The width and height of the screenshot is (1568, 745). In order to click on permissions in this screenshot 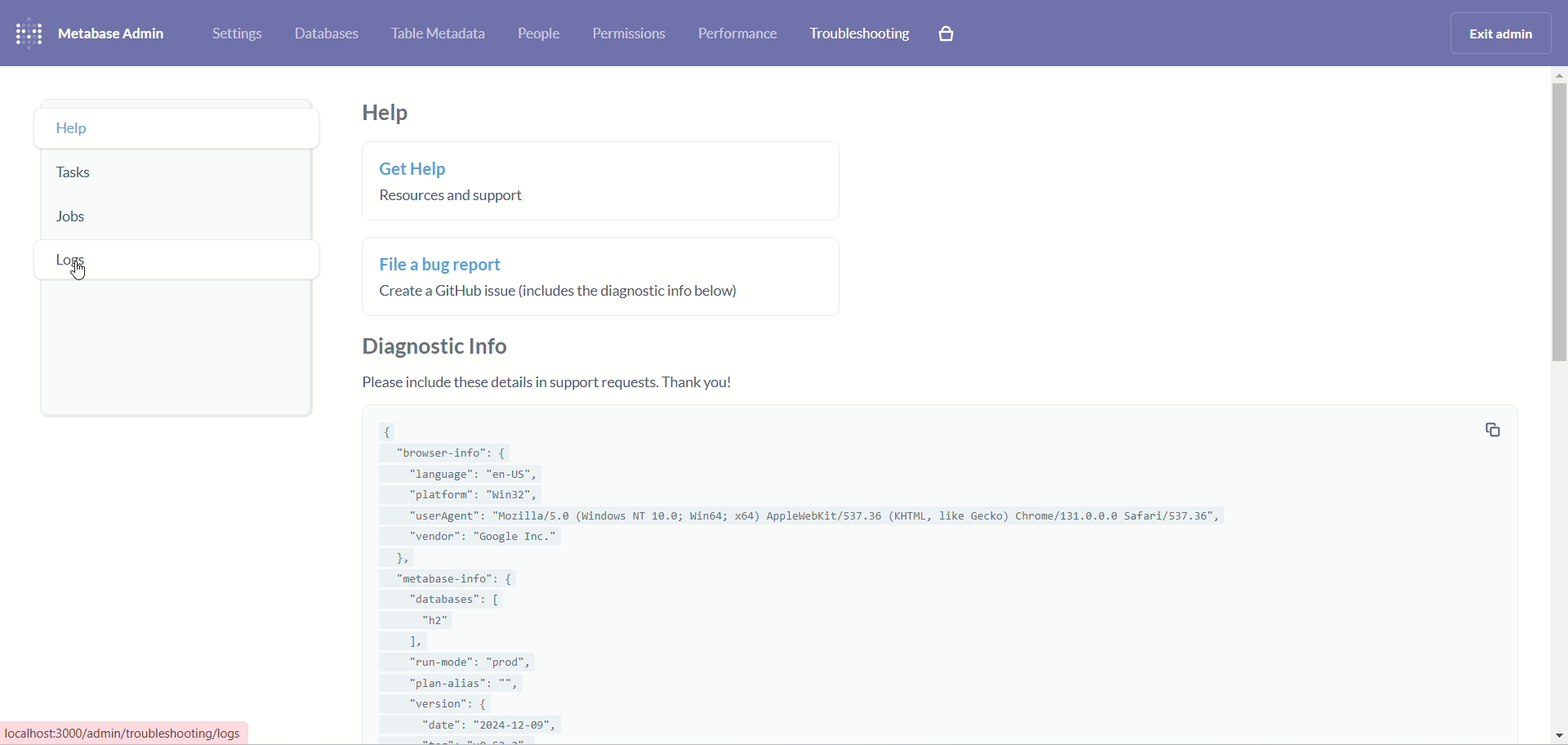, I will do `click(628, 33)`.